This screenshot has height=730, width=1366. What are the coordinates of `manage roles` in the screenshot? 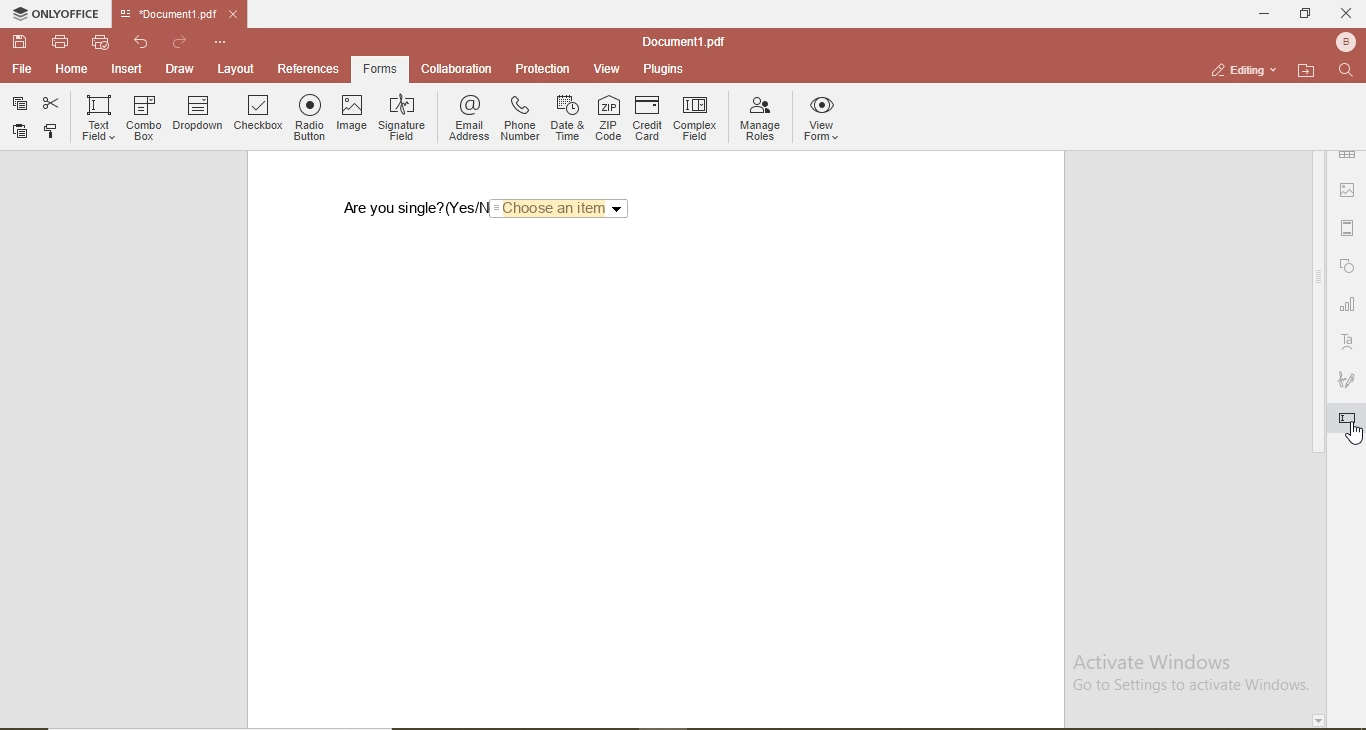 It's located at (758, 119).